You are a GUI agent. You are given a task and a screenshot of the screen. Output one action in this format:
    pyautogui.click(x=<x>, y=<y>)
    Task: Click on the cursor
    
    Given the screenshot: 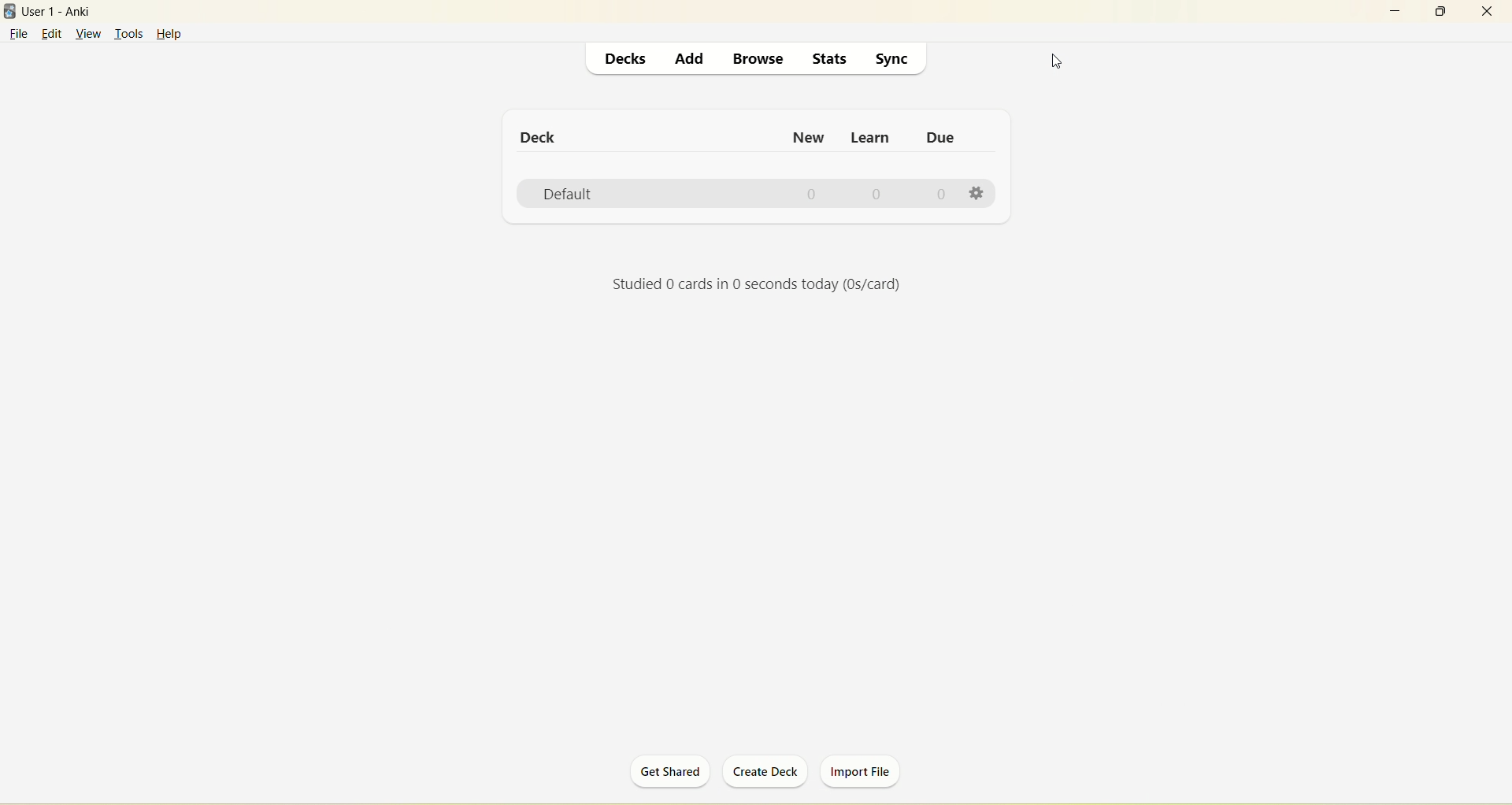 What is the action you would take?
    pyautogui.click(x=1062, y=67)
    